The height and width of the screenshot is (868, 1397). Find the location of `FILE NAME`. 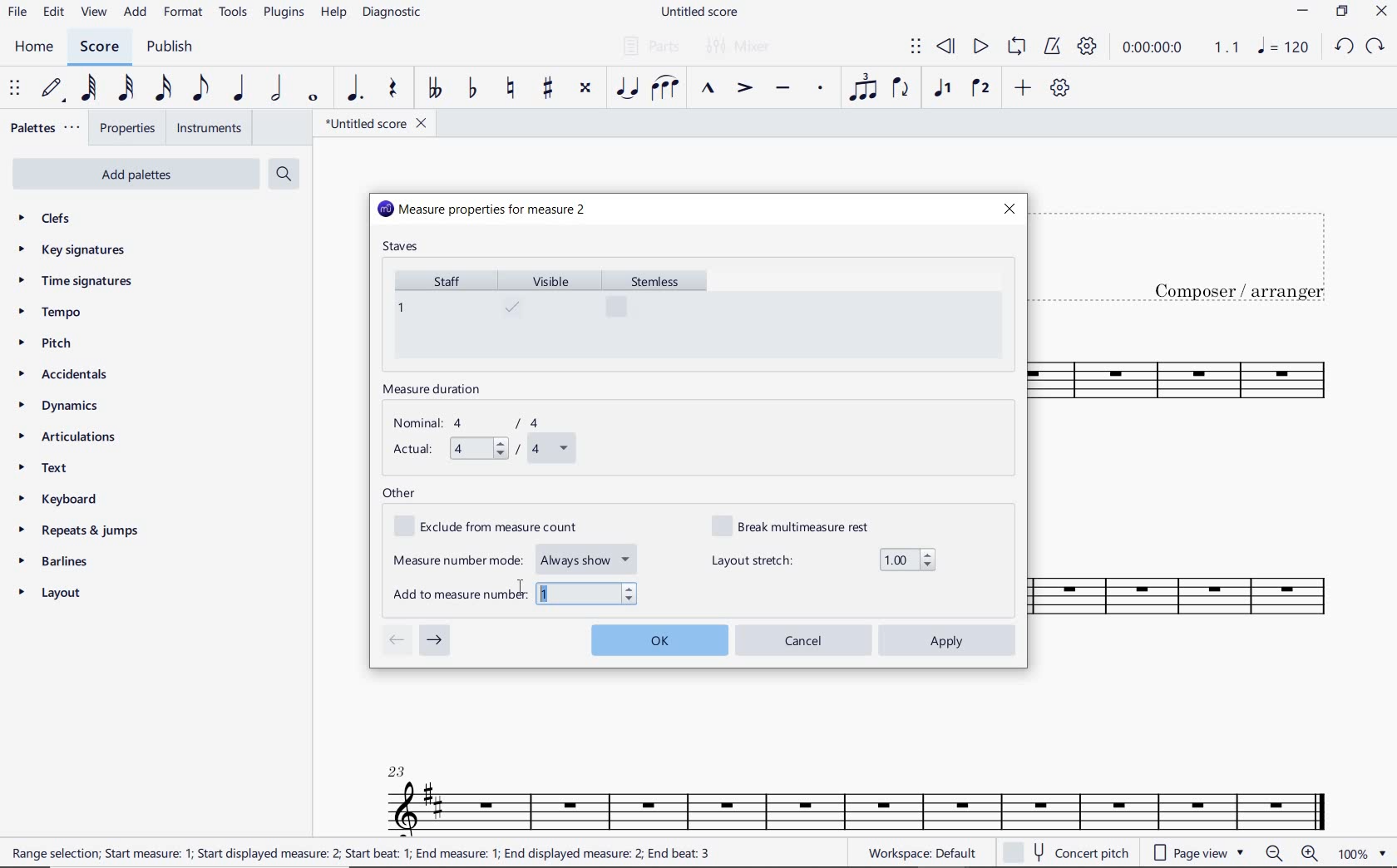

FILE NAME is located at coordinates (703, 12).